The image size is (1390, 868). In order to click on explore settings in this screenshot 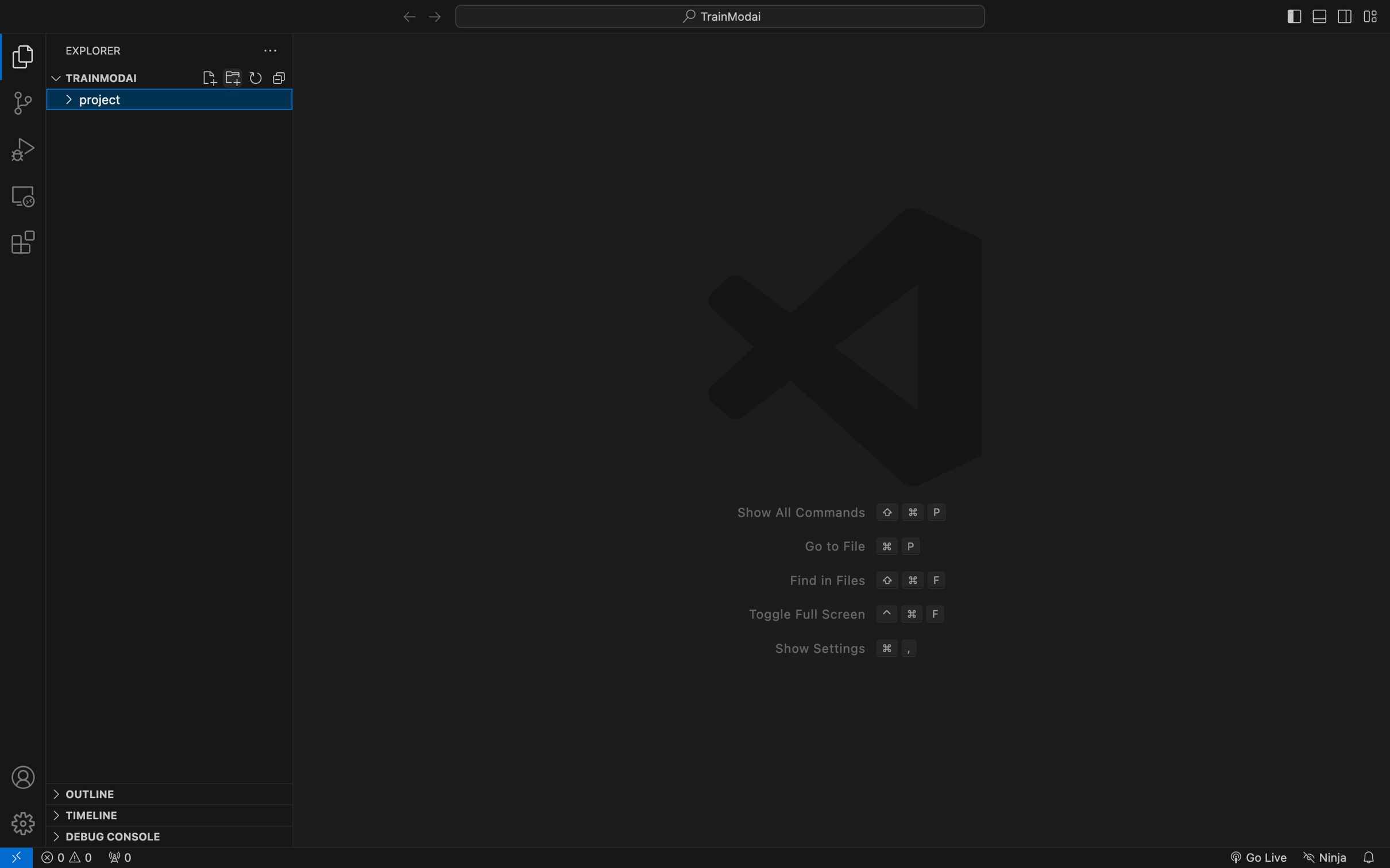, I will do `click(264, 52)`.